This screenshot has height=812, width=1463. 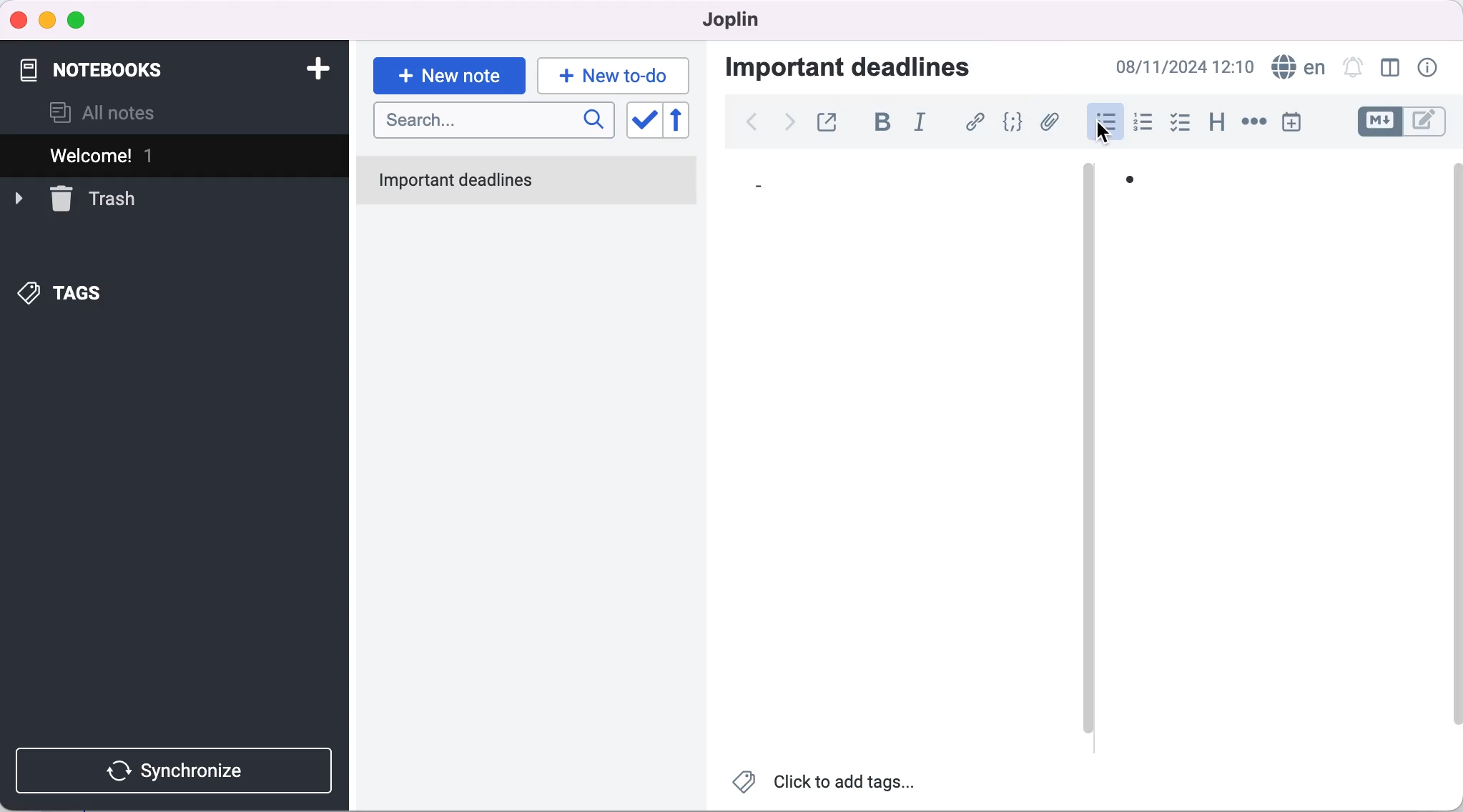 What do you see at coordinates (1105, 123) in the screenshot?
I see `cursor` at bounding box center [1105, 123].